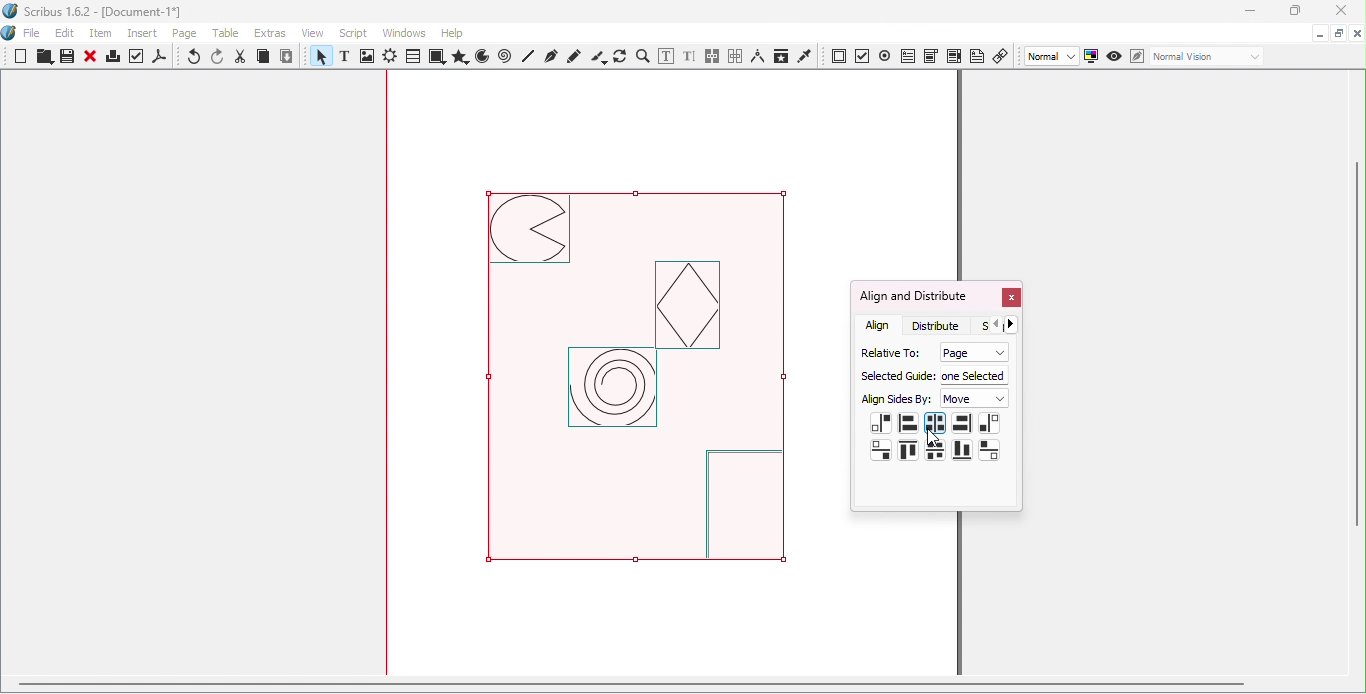 The image size is (1366, 694). What do you see at coordinates (436, 57) in the screenshot?
I see `Shapes` at bounding box center [436, 57].